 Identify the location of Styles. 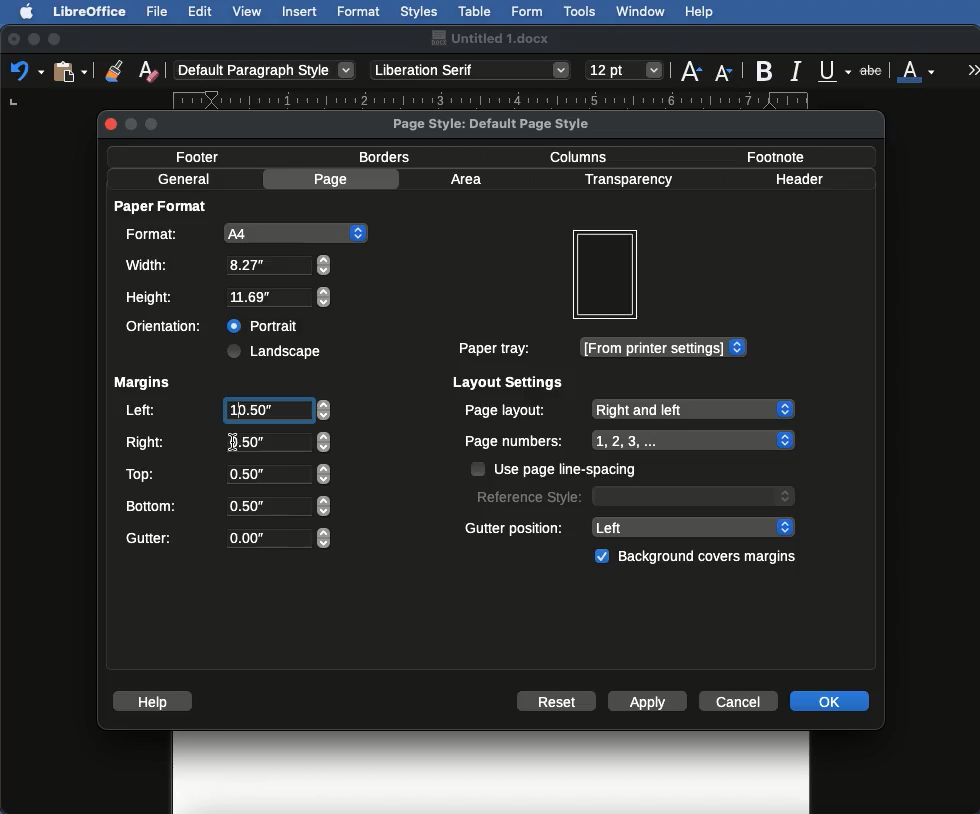
(418, 11).